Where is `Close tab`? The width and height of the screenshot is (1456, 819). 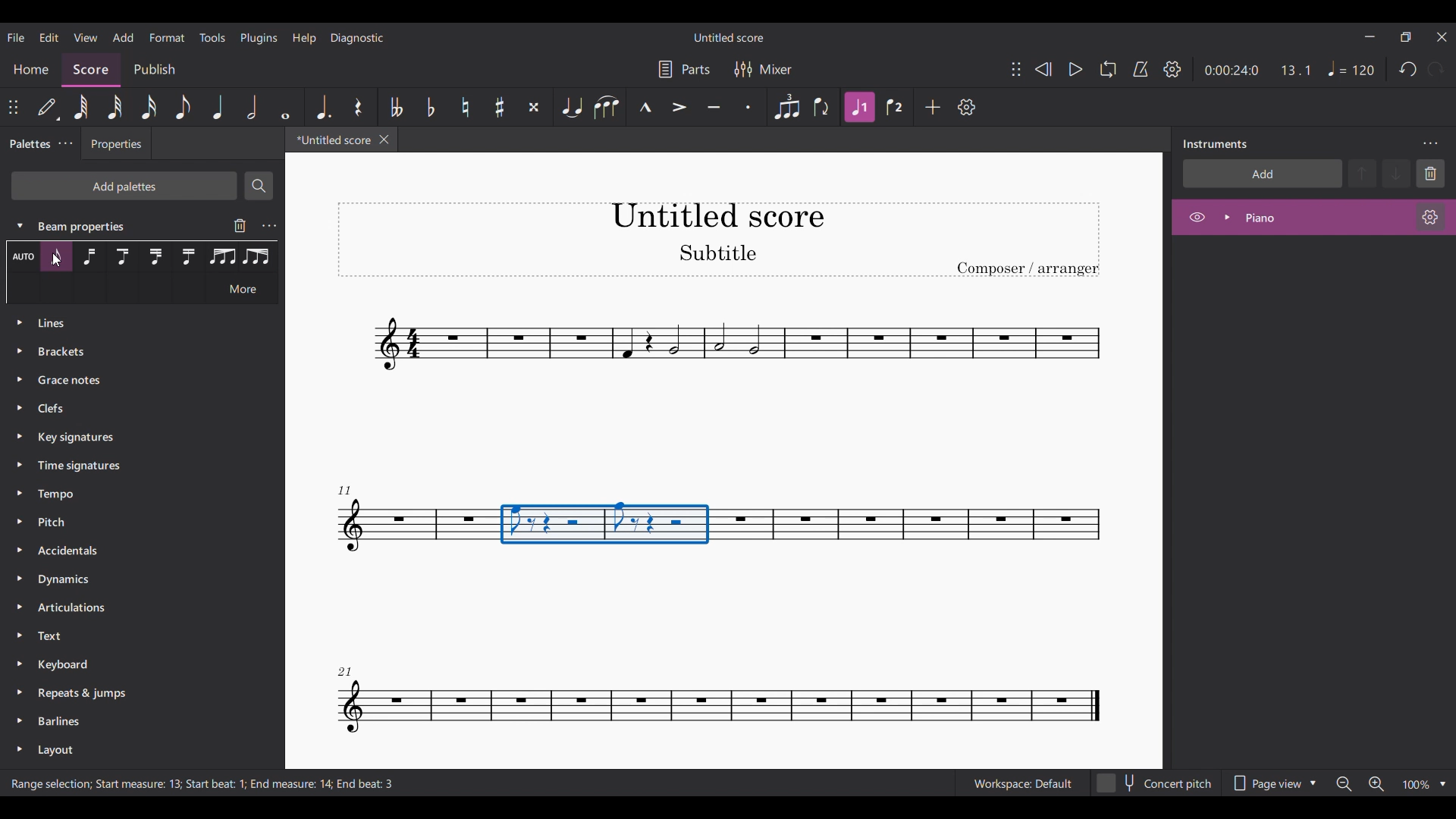
Close tab is located at coordinates (384, 140).